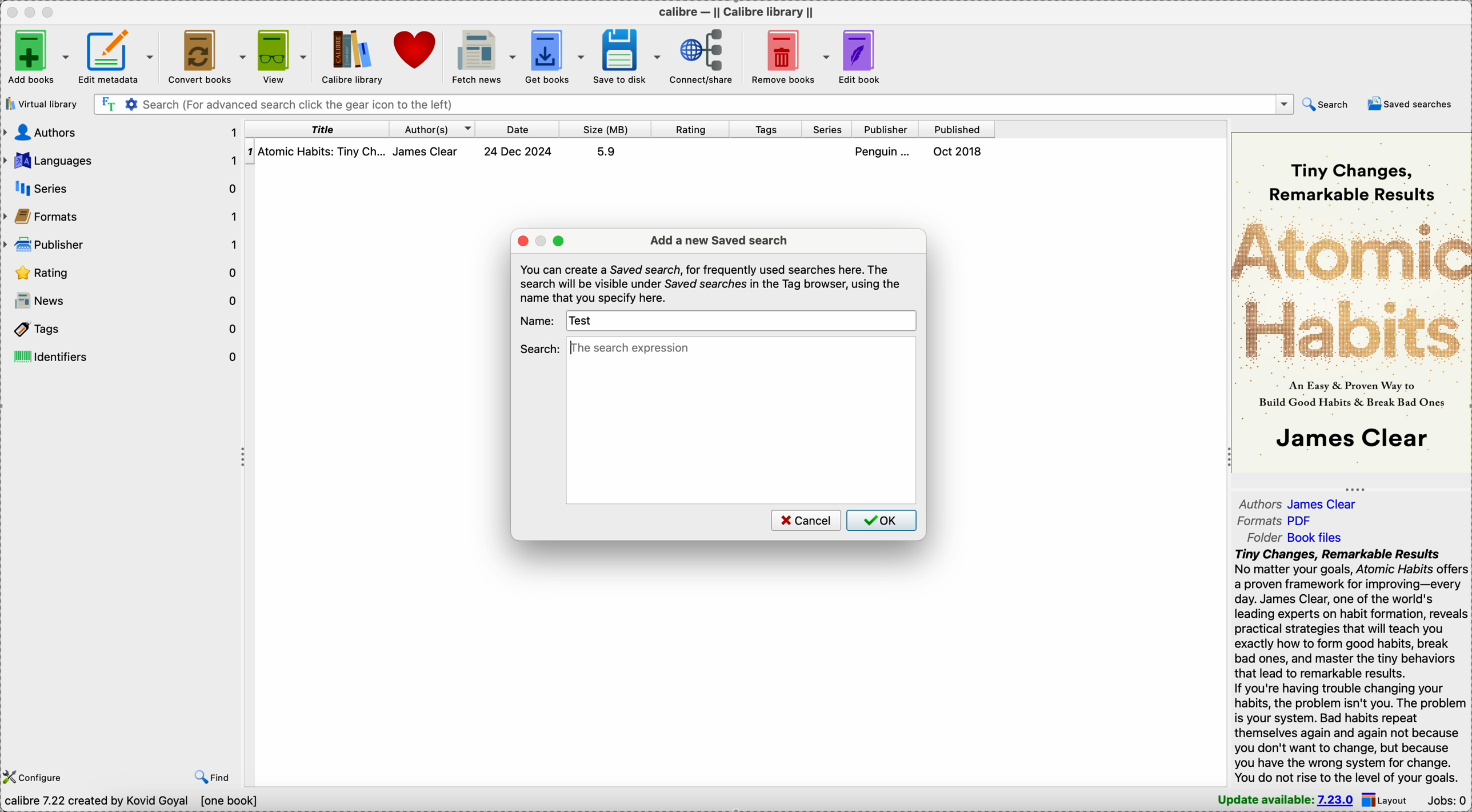 The image size is (1472, 812). I want to click on Jobs: 0, so click(1448, 799).